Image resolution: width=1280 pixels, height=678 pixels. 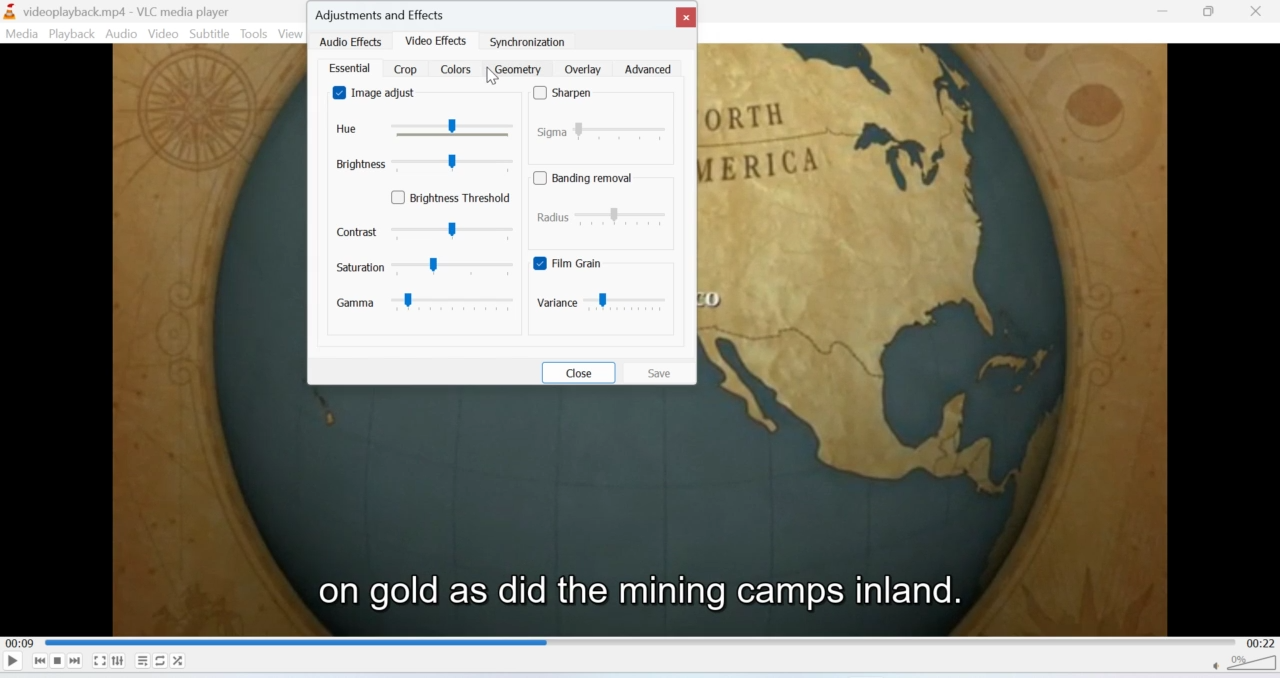 What do you see at coordinates (13, 660) in the screenshot?
I see `Play/Pause` at bounding box center [13, 660].